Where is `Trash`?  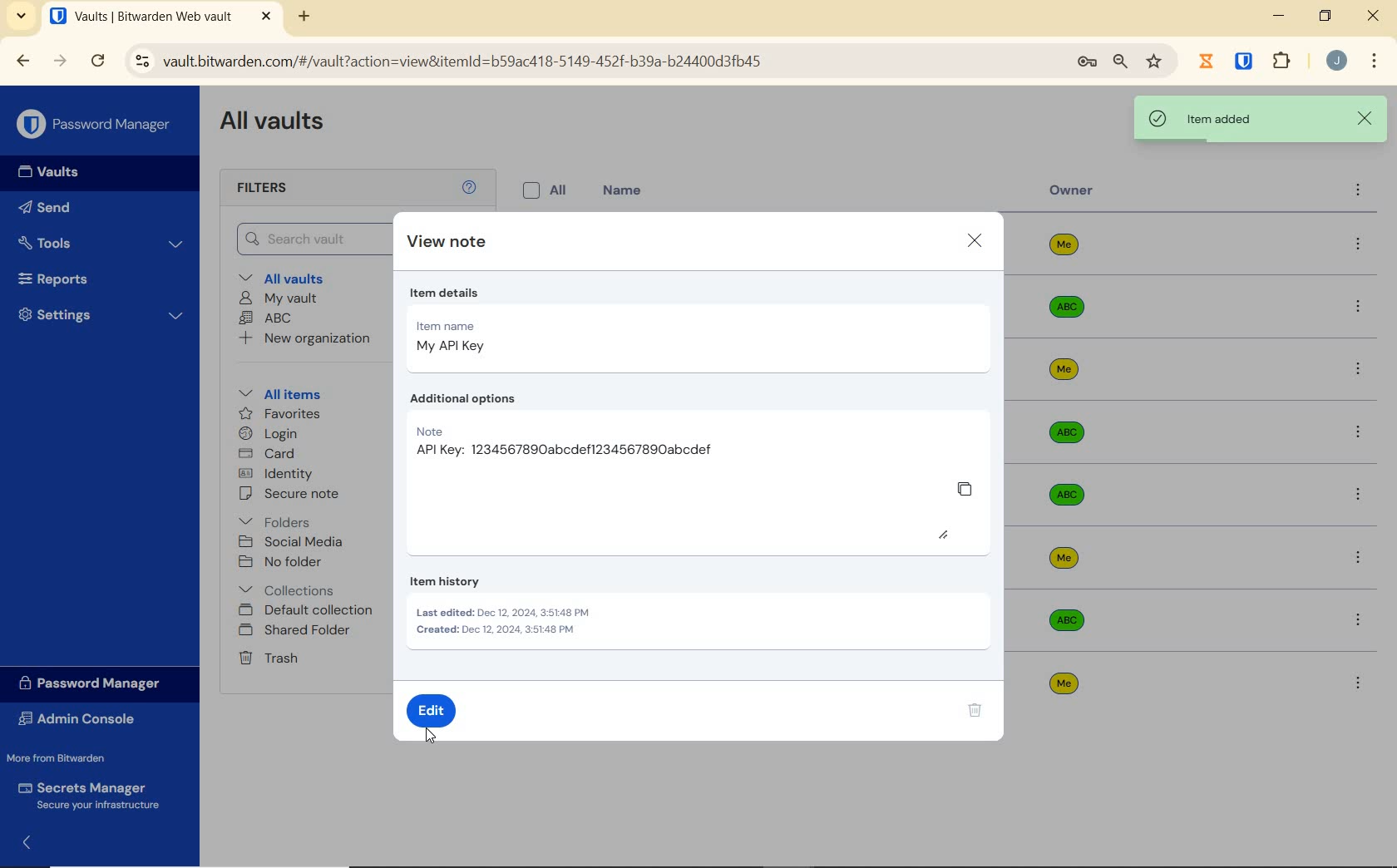
Trash is located at coordinates (271, 659).